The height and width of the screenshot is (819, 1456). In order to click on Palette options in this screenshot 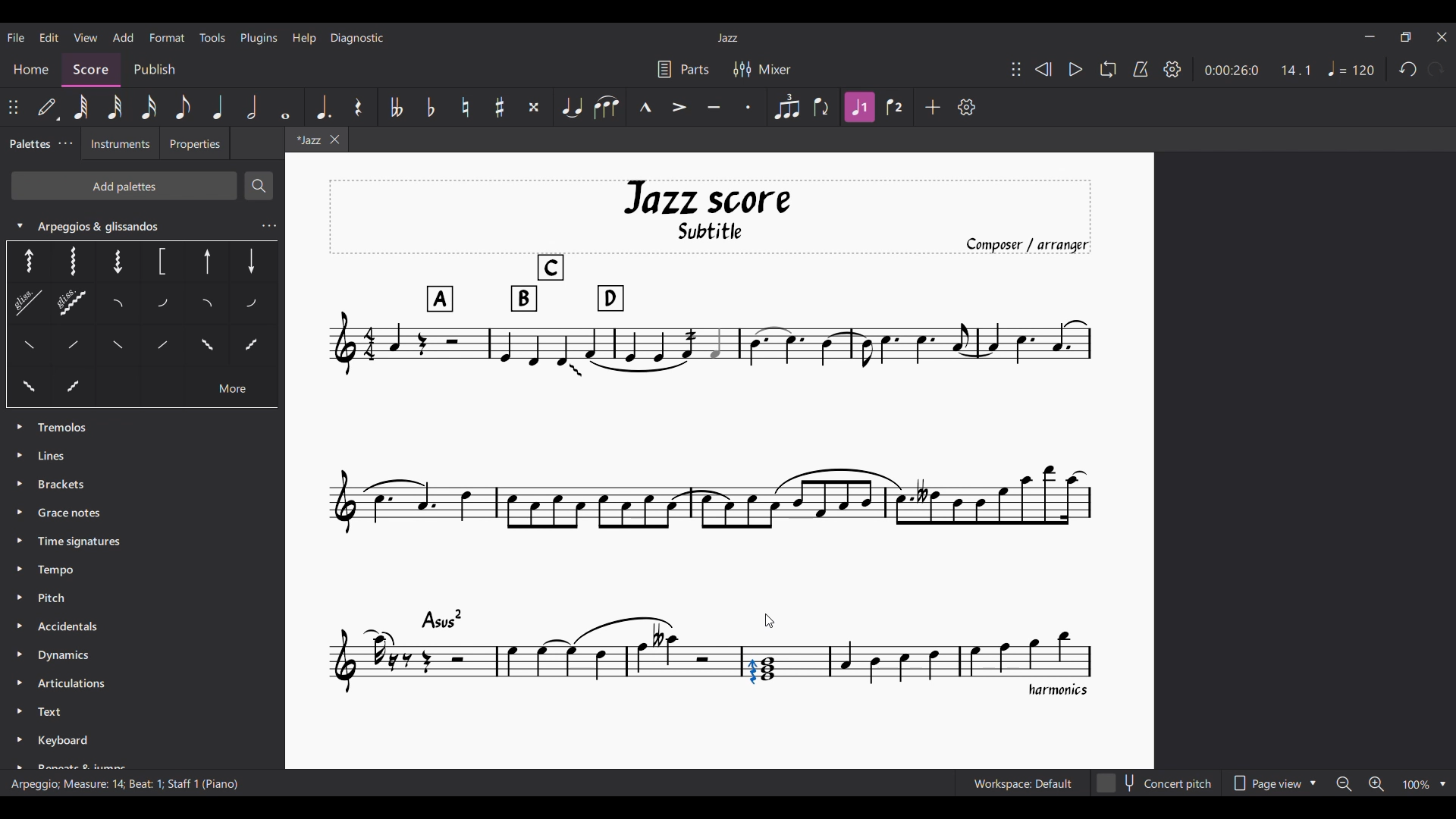, I will do `click(67, 424)`.